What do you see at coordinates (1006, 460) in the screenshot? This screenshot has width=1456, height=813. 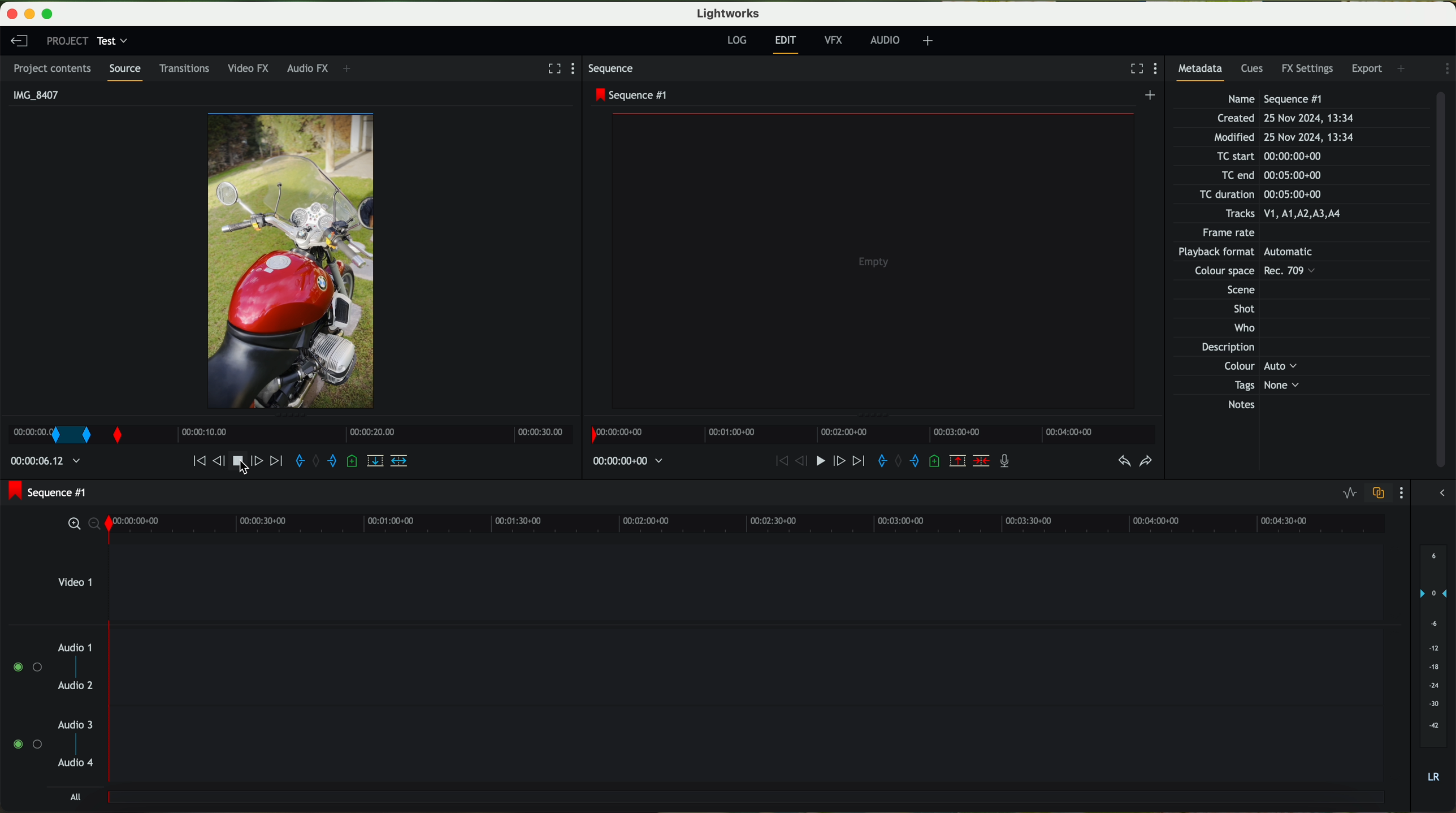 I see `record a voice over` at bounding box center [1006, 460].